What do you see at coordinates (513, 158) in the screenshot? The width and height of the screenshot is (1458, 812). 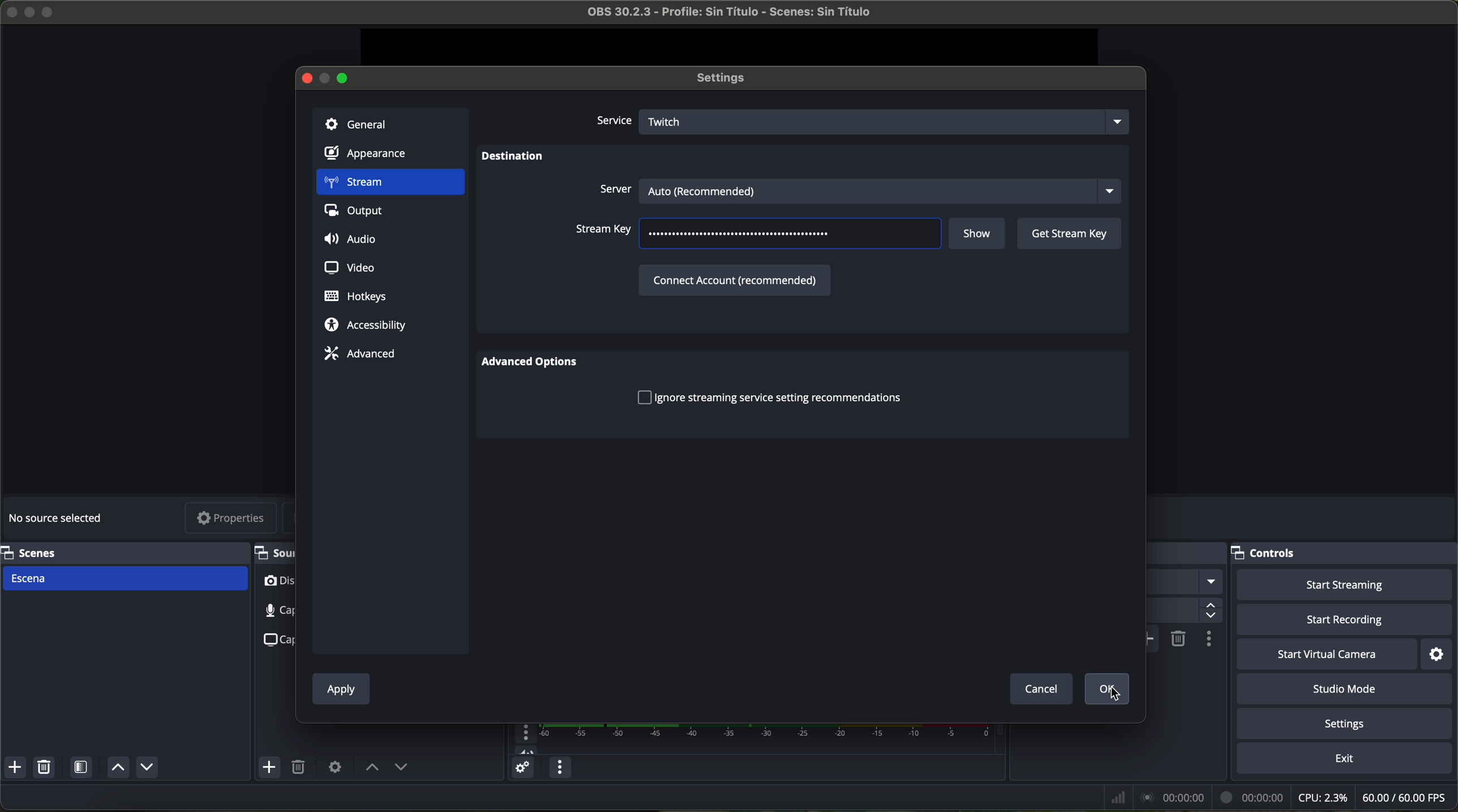 I see `destination` at bounding box center [513, 158].